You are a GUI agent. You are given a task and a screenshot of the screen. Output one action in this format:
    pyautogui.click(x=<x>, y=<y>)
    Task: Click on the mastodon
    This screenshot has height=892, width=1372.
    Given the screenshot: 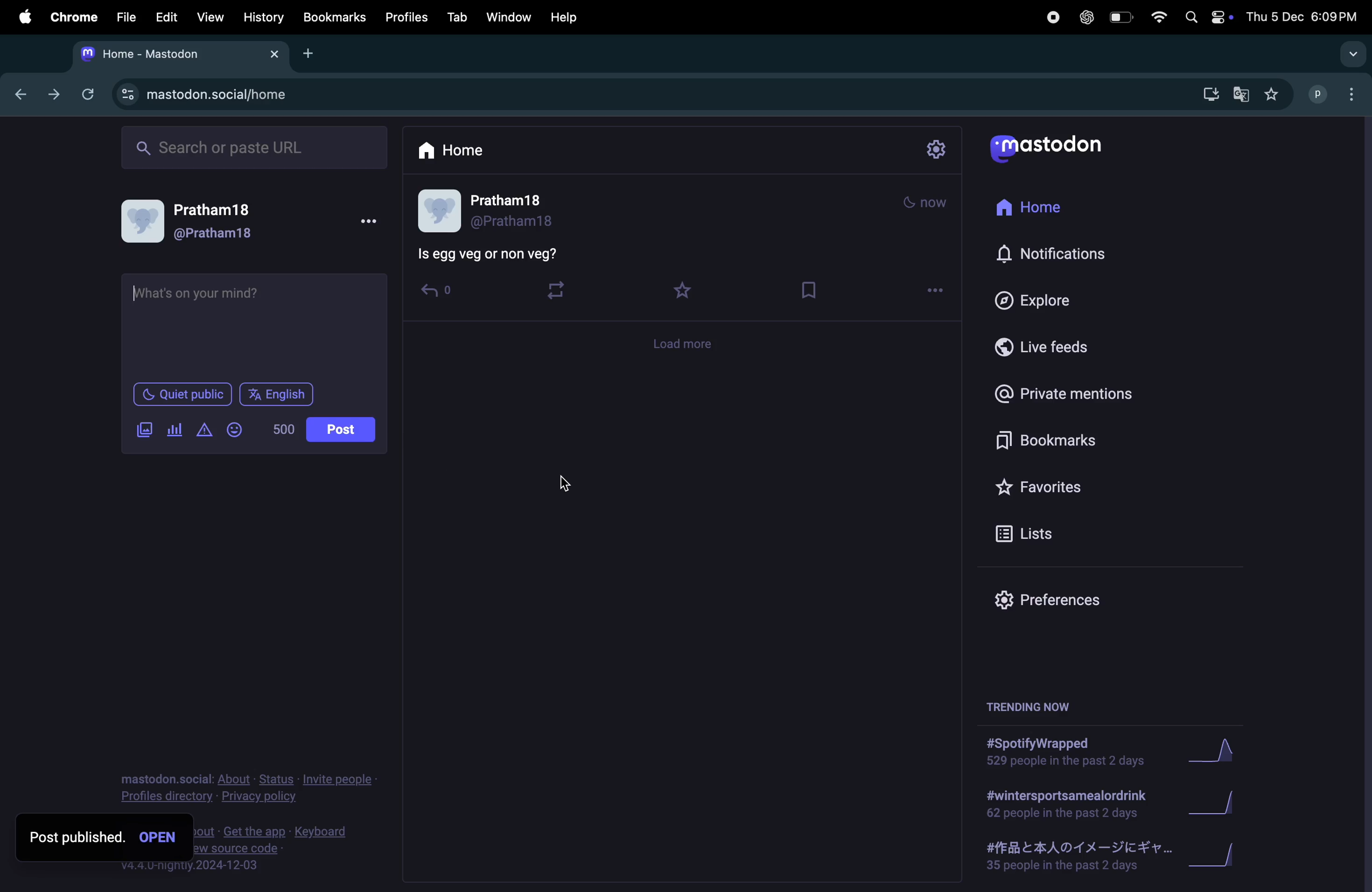 What is the action you would take?
    pyautogui.click(x=1056, y=147)
    